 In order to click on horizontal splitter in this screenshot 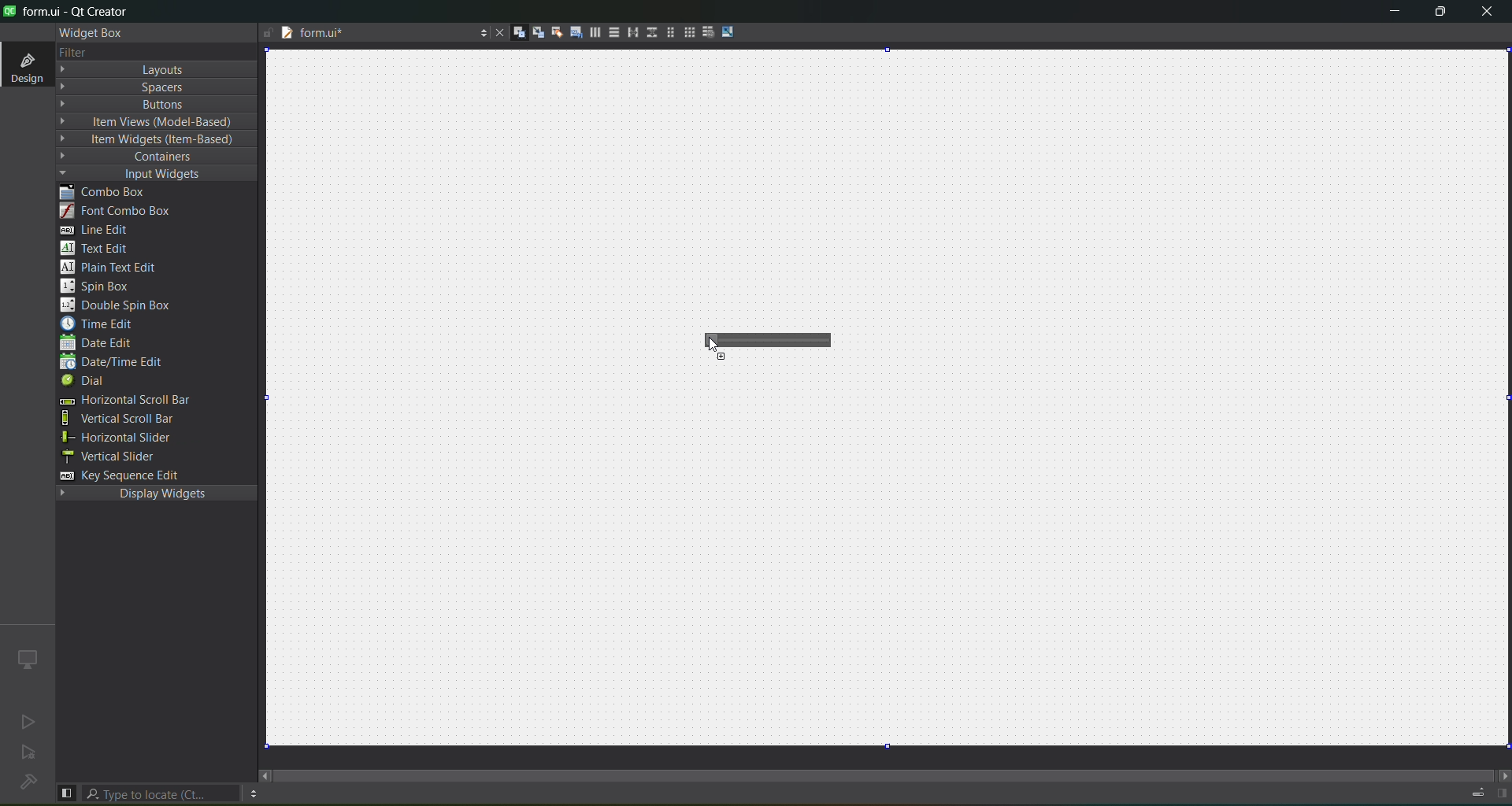, I will do `click(632, 33)`.